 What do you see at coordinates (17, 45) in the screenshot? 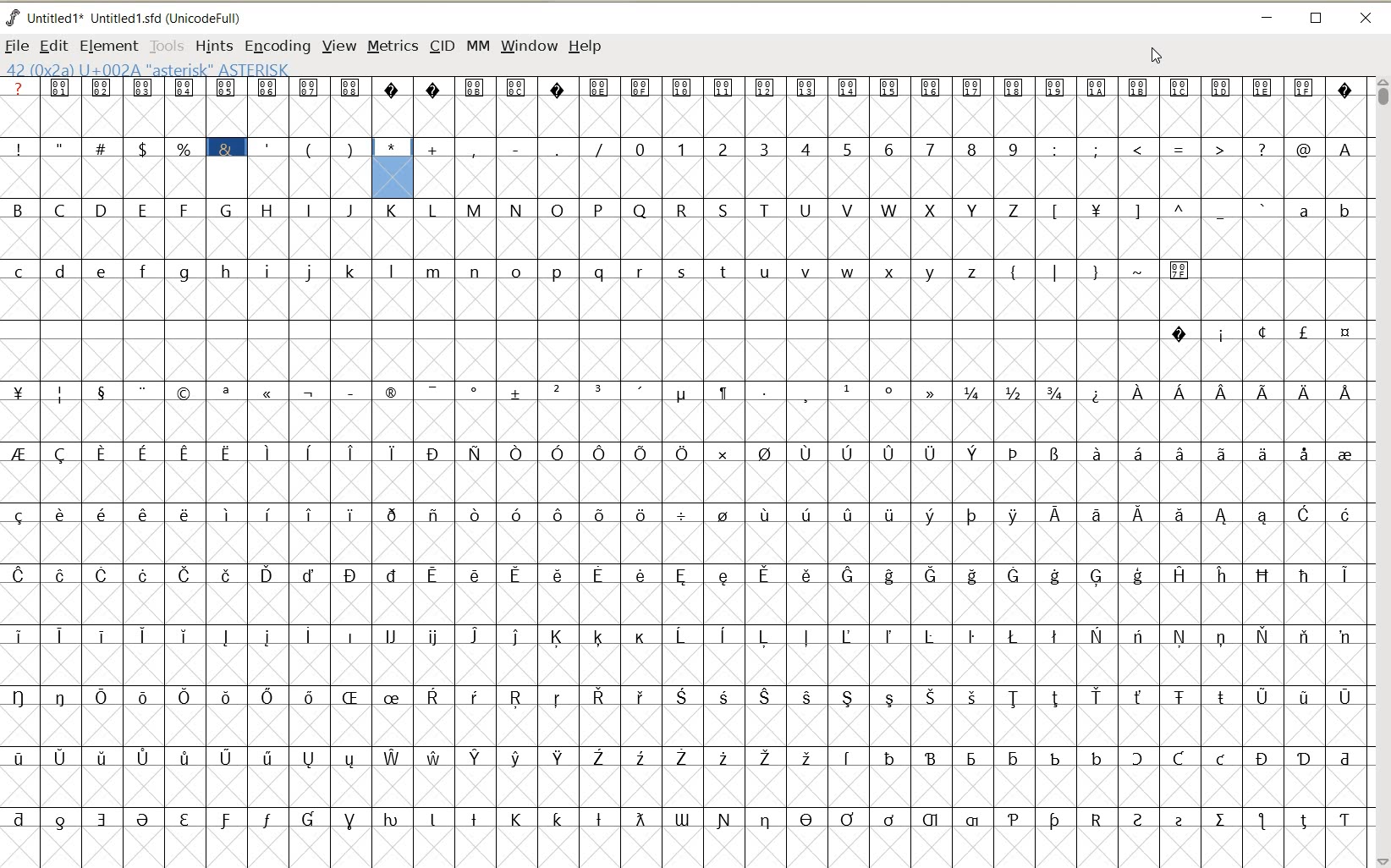
I see `FILE` at bounding box center [17, 45].